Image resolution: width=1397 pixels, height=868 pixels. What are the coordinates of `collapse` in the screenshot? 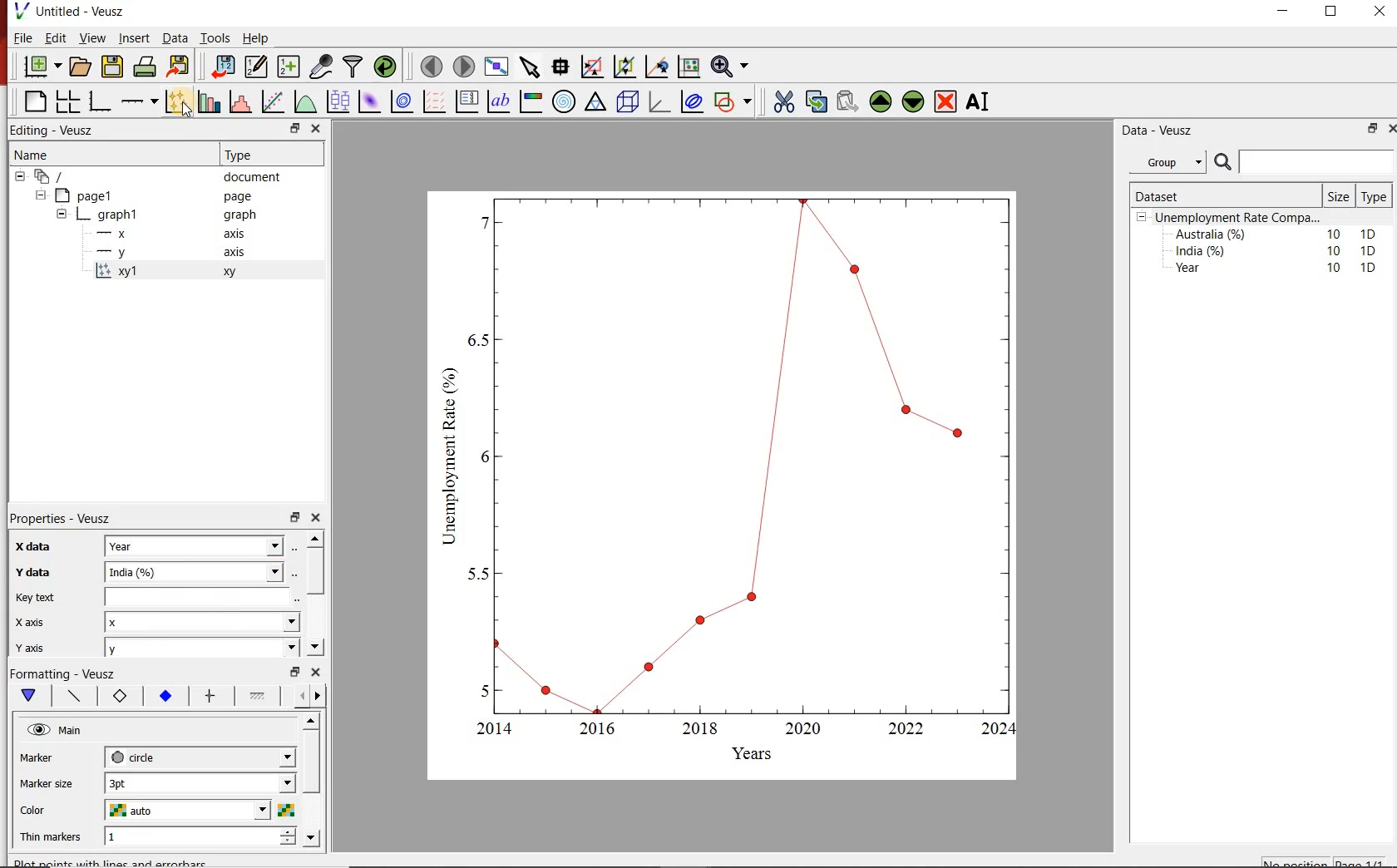 It's located at (61, 216).